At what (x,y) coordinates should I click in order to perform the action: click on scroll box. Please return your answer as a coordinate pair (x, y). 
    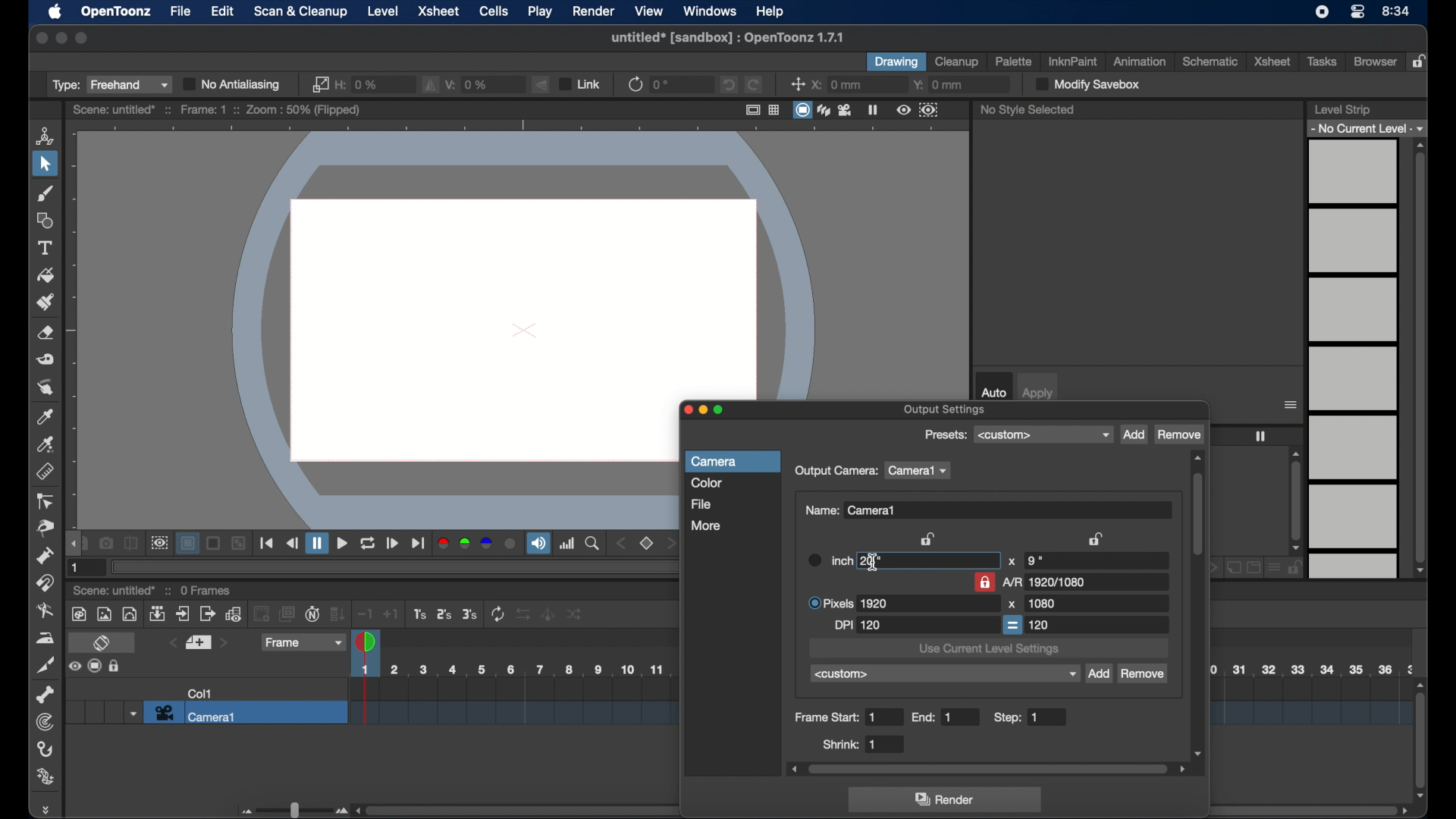
    Looking at the image, I should click on (1198, 605).